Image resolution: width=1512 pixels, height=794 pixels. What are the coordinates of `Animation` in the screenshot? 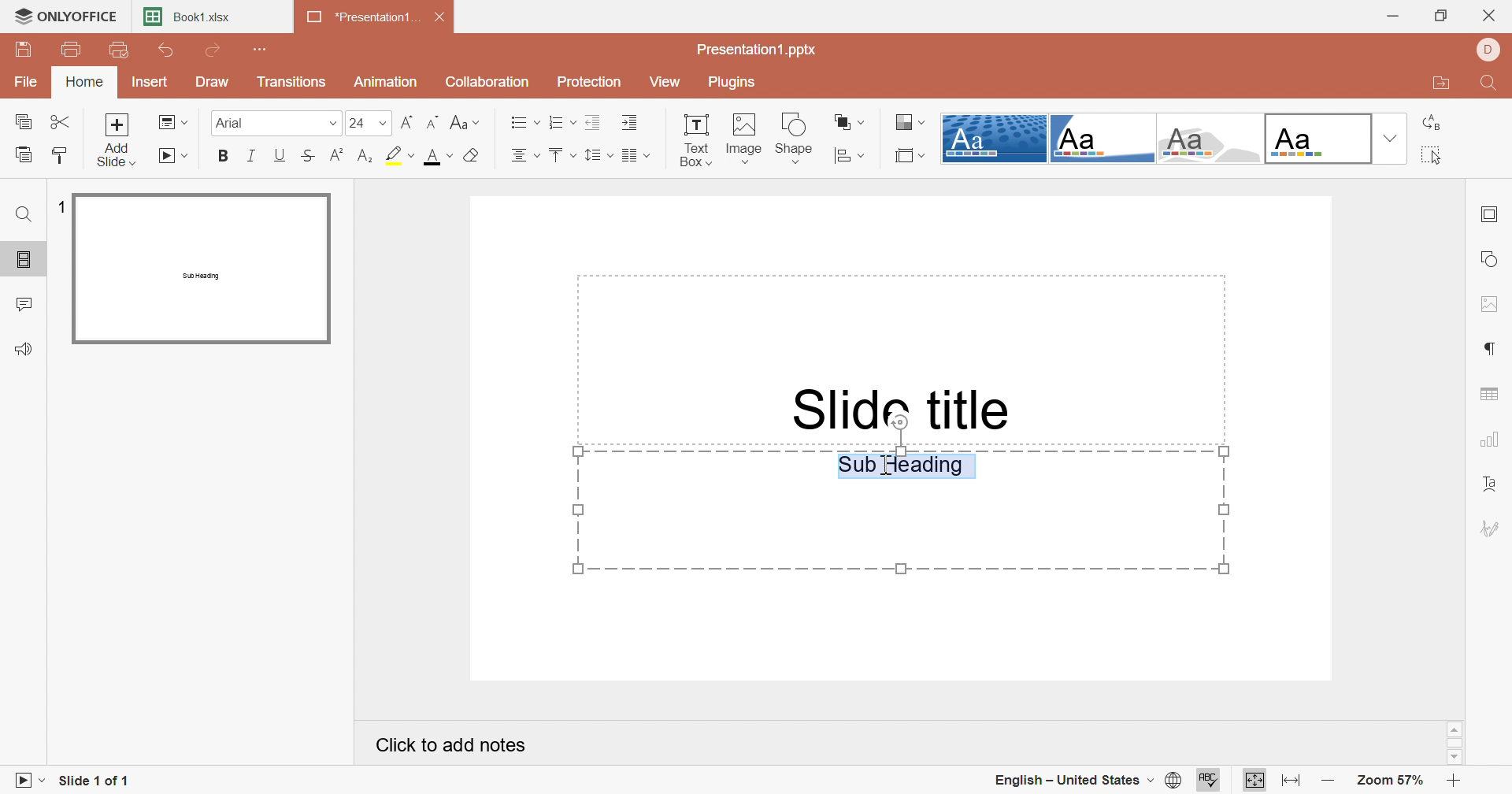 It's located at (387, 83).